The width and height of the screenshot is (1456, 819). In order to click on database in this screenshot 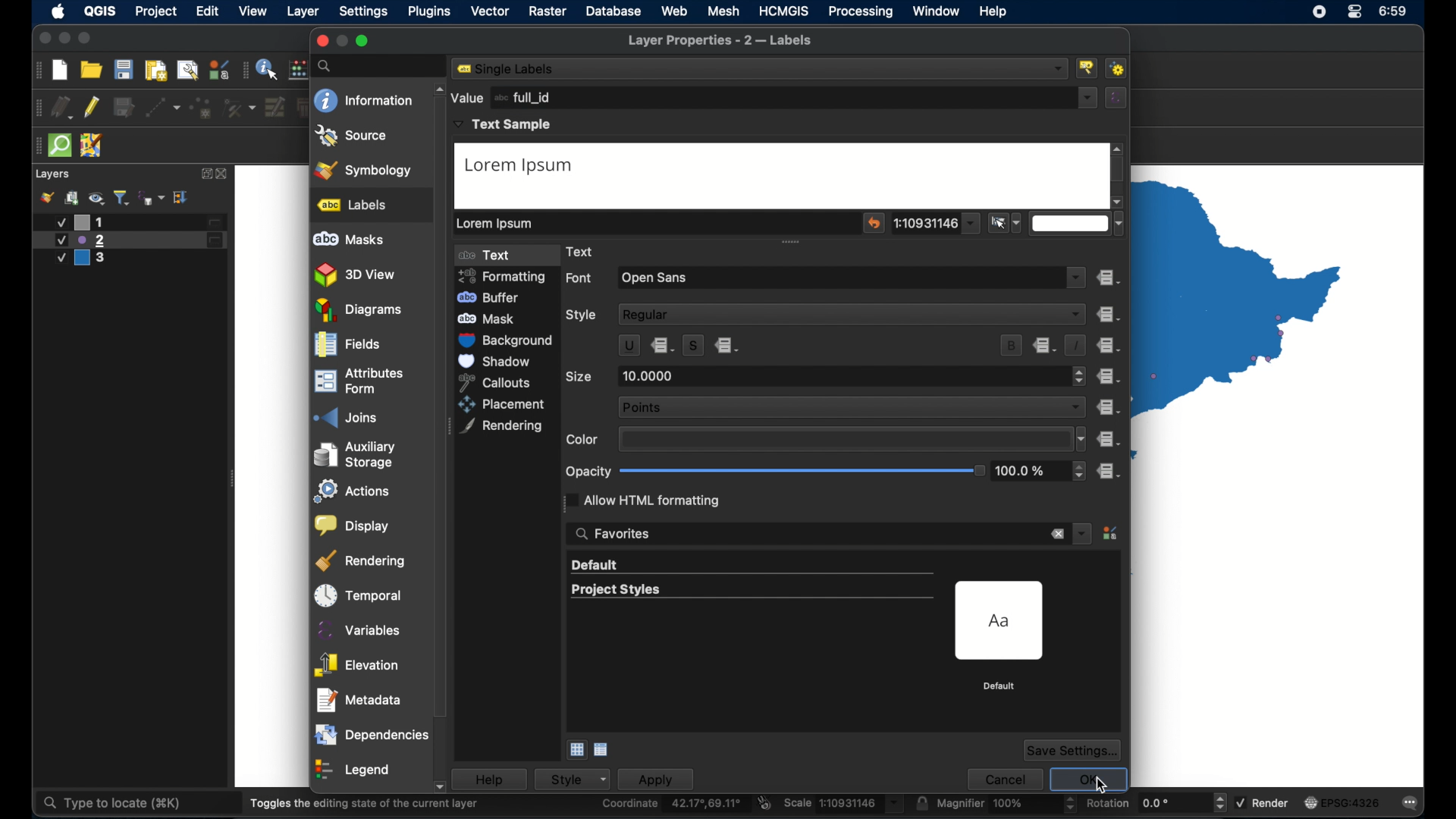, I will do `click(613, 11)`.